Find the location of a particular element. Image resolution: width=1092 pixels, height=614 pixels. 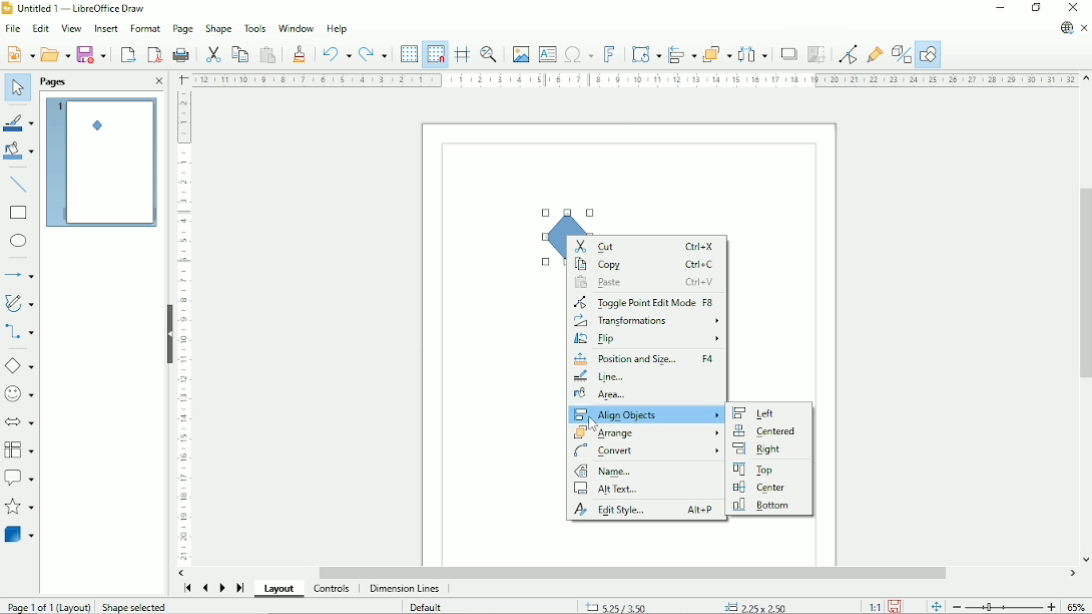

Undo is located at coordinates (335, 53).